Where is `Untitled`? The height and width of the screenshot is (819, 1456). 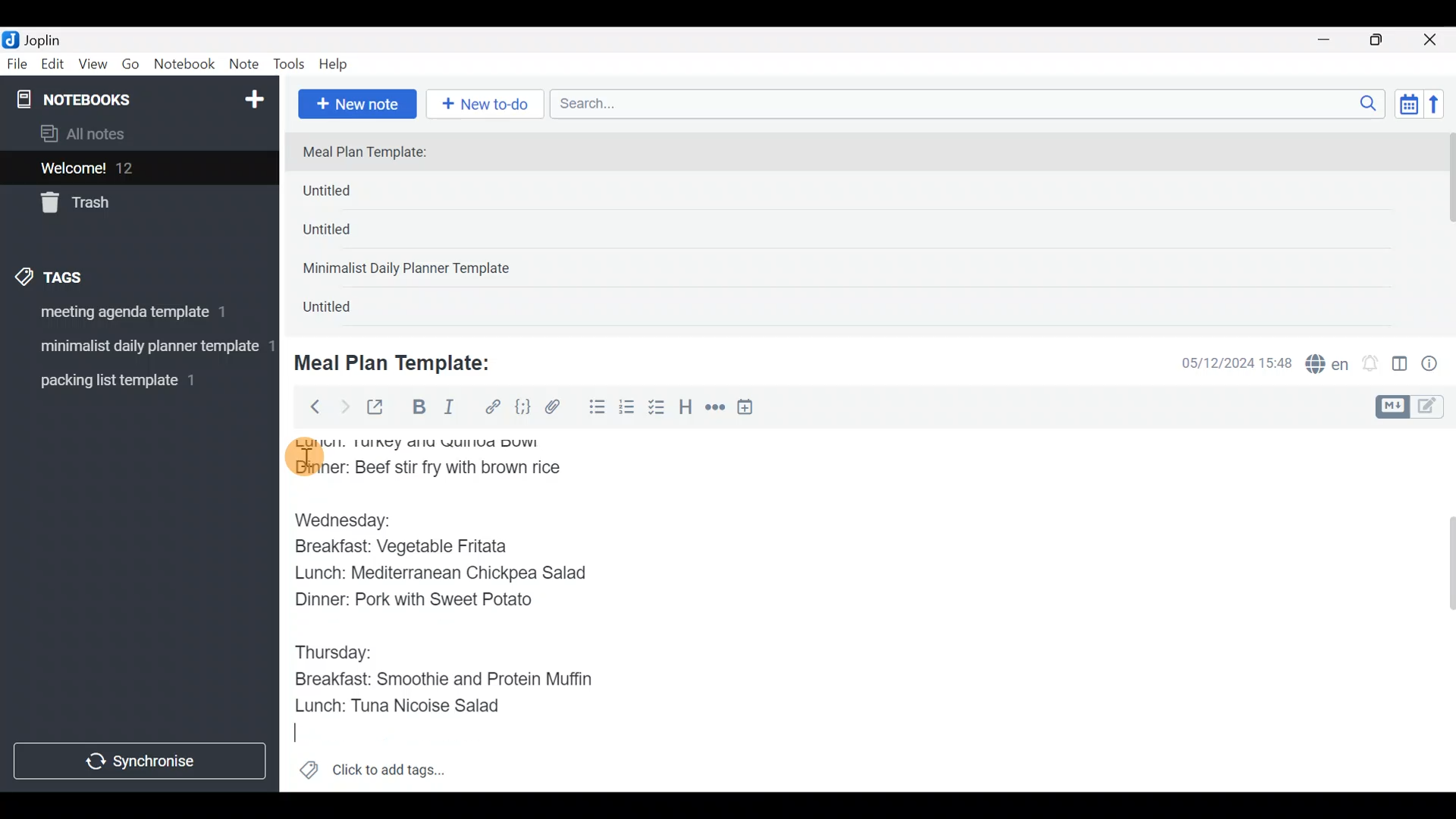
Untitled is located at coordinates (347, 234).